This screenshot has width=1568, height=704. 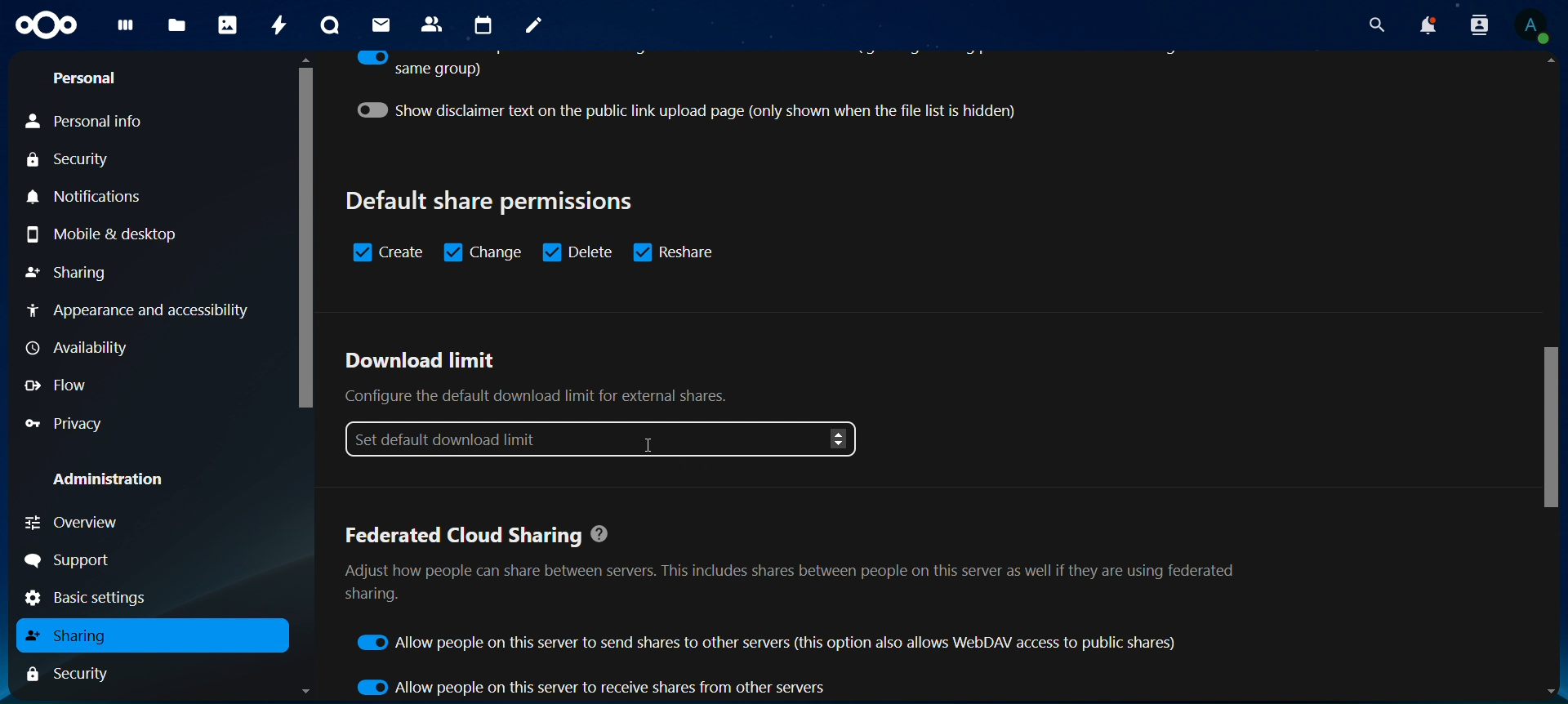 I want to click on appearance and accessibility, so click(x=140, y=311).